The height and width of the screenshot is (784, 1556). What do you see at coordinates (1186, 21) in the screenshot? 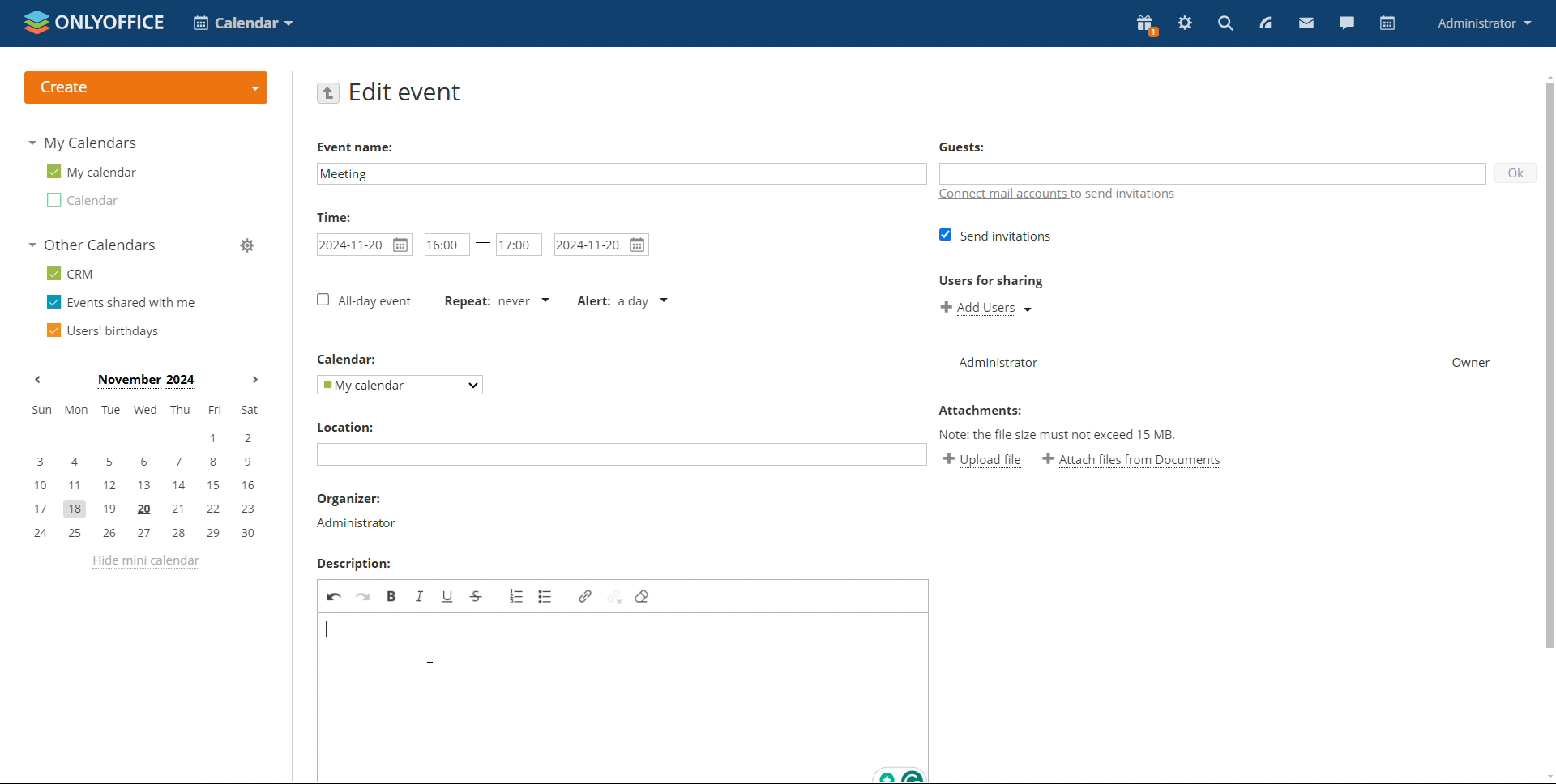
I see `settings` at bounding box center [1186, 21].